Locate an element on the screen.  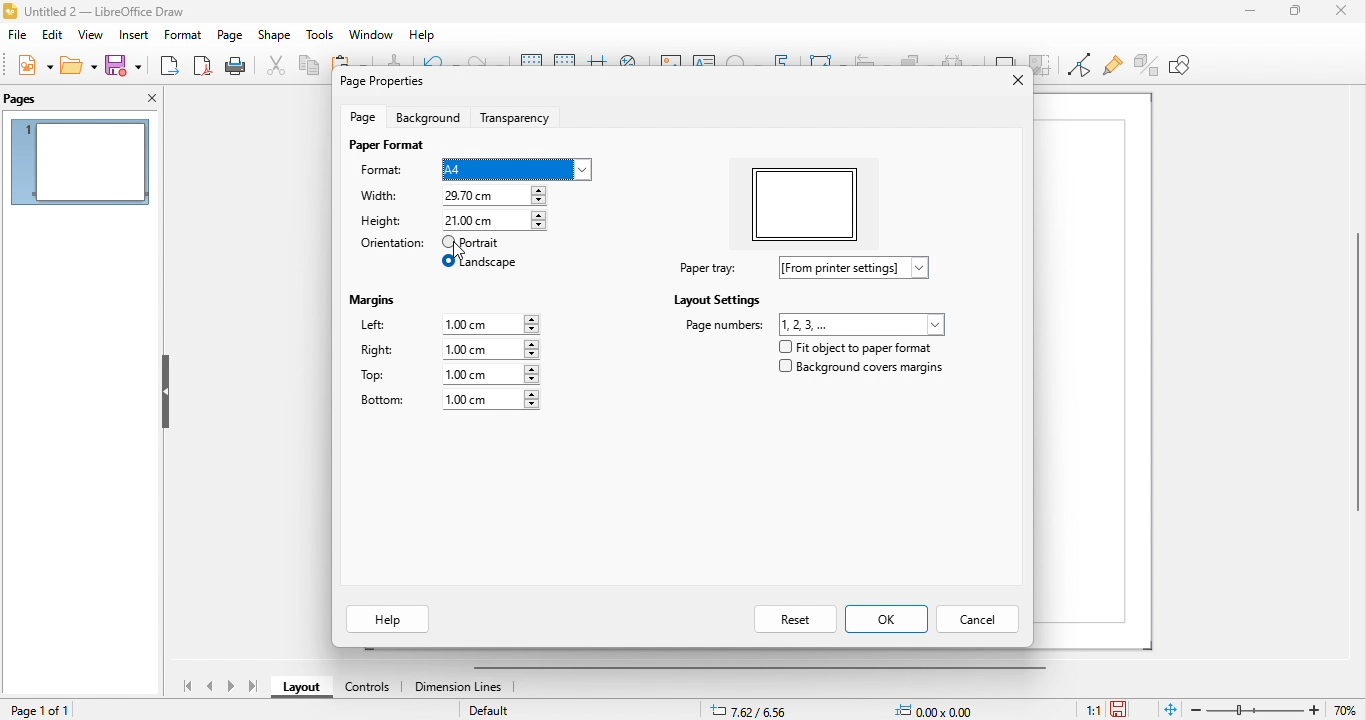
align objects is located at coordinates (872, 61).